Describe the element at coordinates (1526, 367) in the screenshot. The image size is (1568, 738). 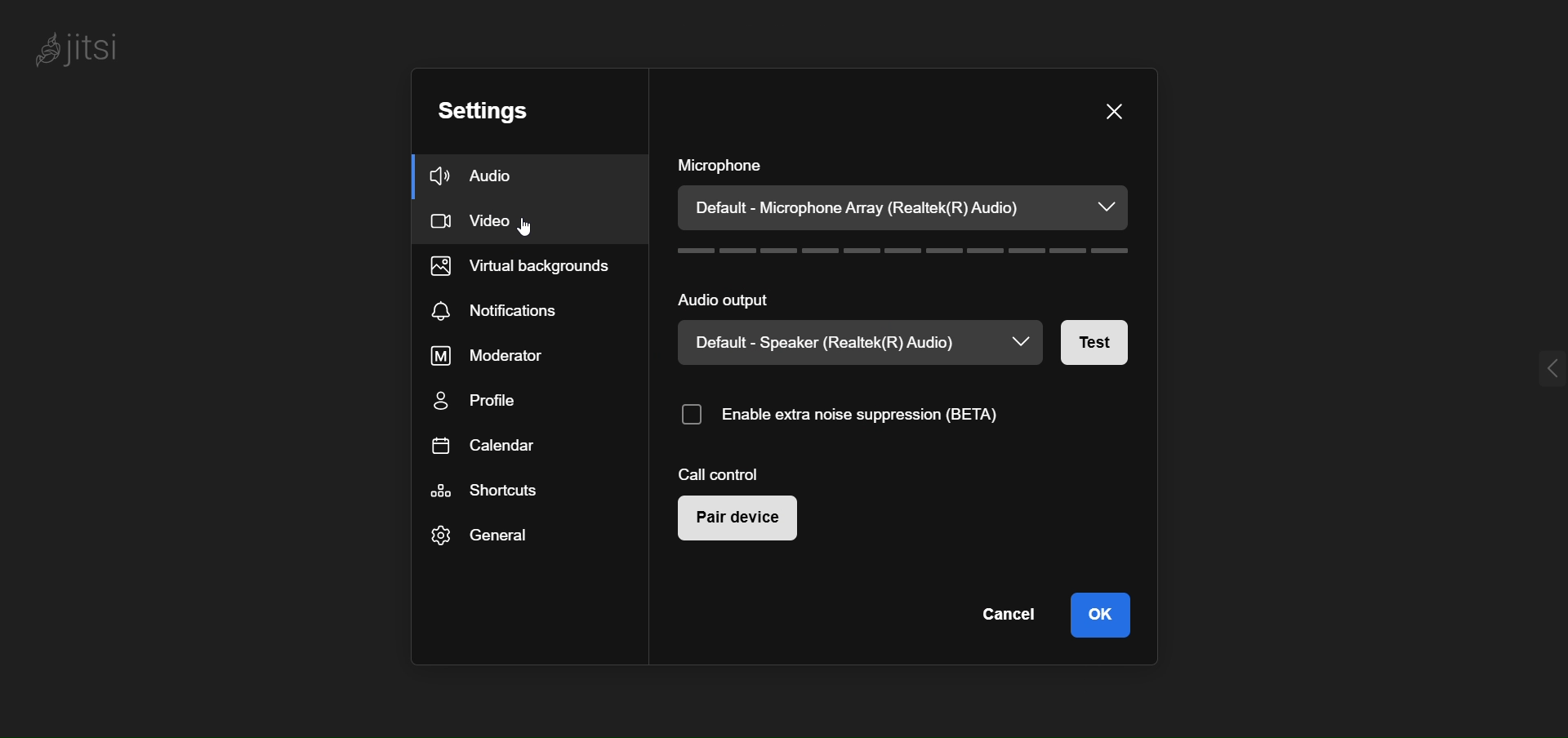
I see `expand` at that location.